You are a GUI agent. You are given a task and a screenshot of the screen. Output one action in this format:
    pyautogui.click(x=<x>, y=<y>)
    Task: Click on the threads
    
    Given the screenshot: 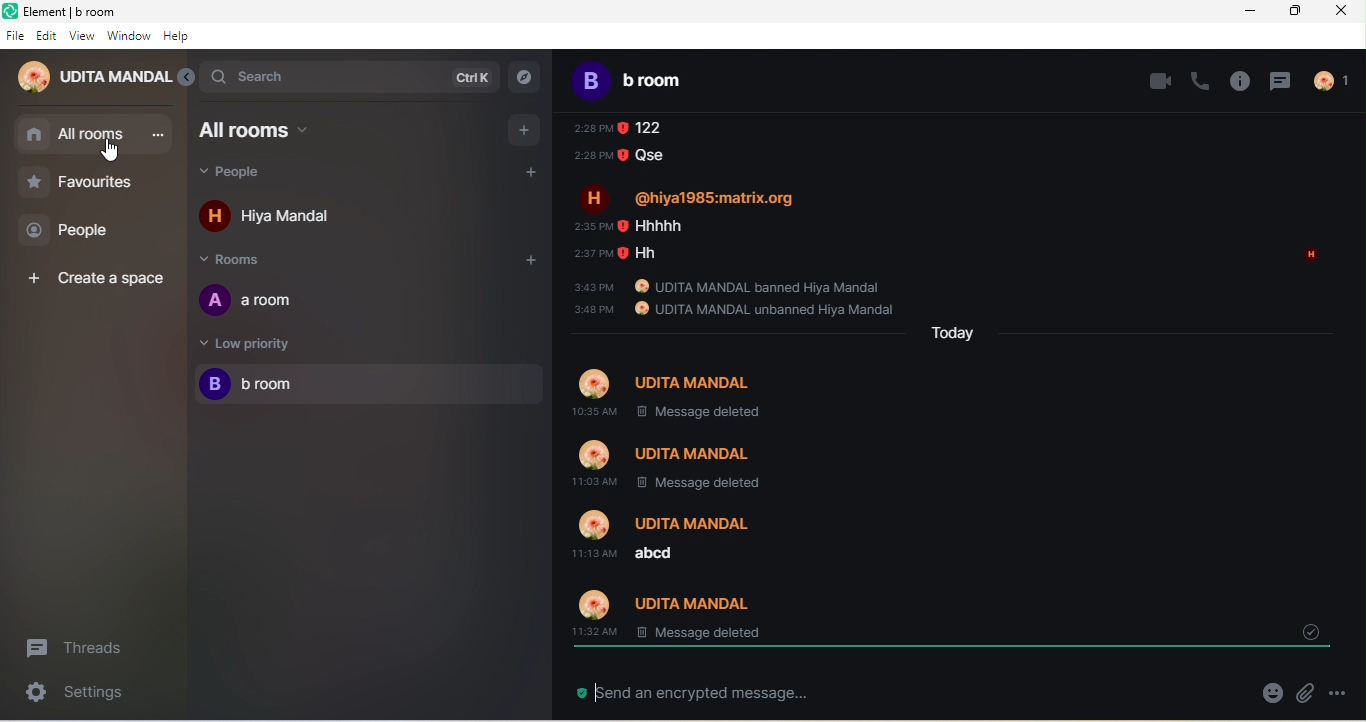 What is the action you would take?
    pyautogui.click(x=83, y=646)
    